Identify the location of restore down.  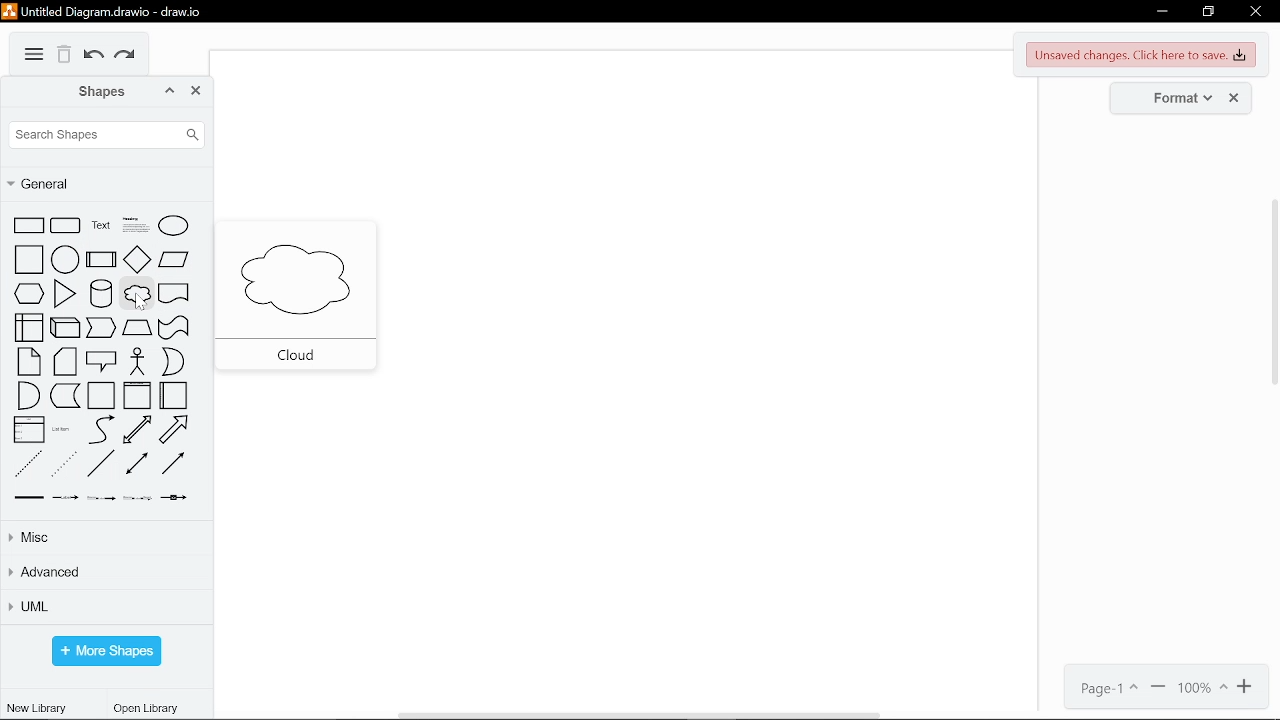
(1208, 11).